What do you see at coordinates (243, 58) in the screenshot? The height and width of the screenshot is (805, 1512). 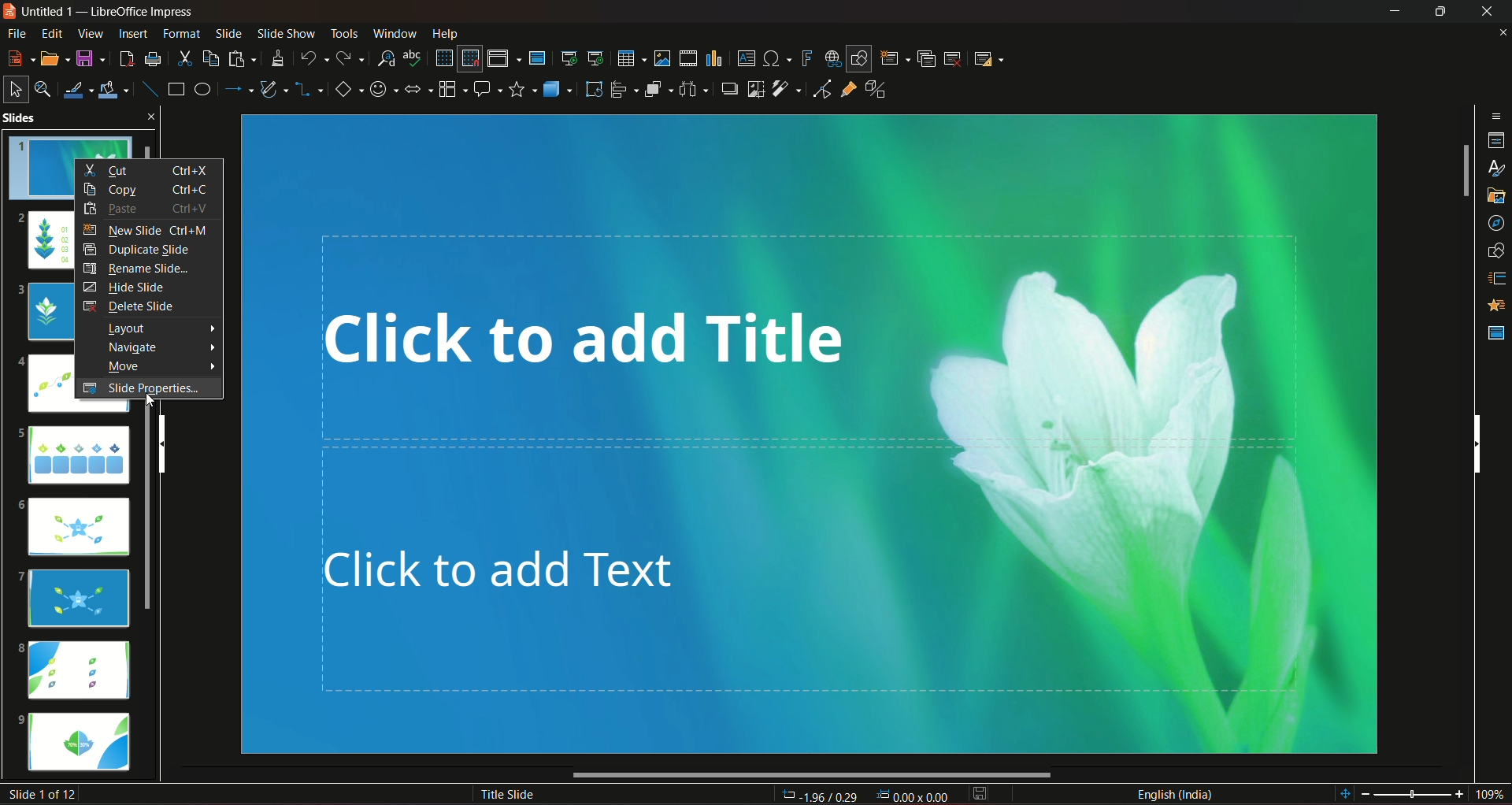 I see `paste` at bounding box center [243, 58].